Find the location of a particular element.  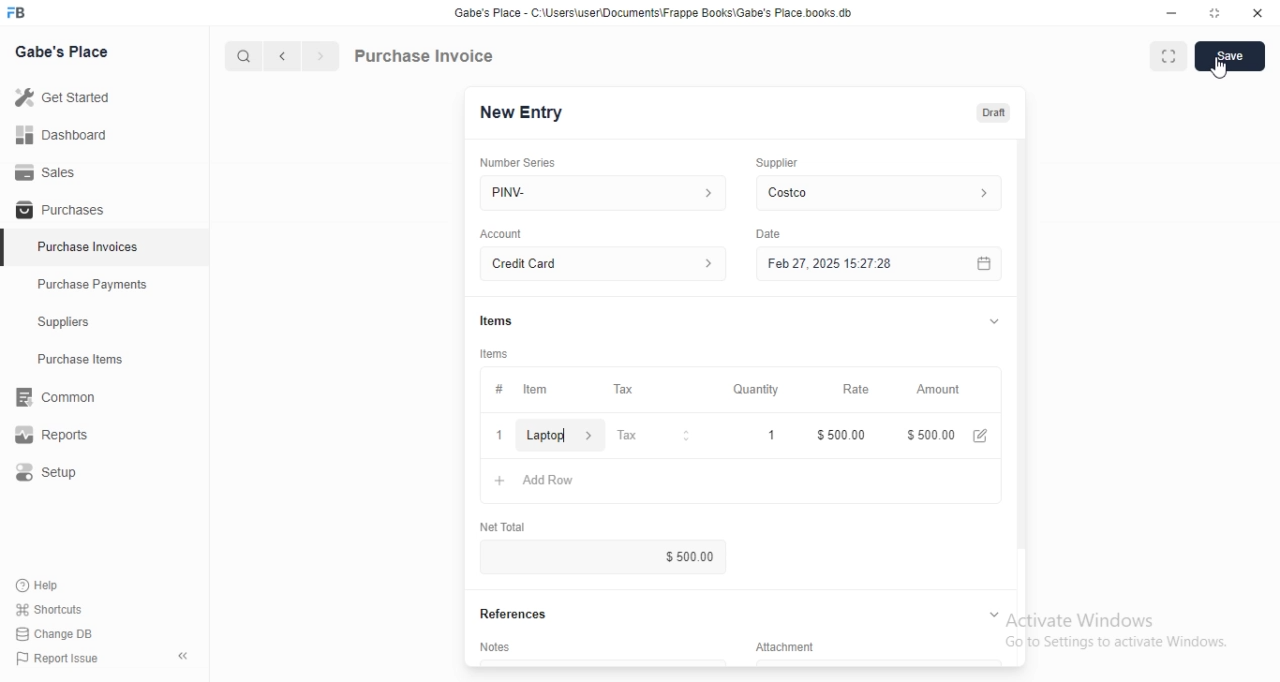

Minimize is located at coordinates (1171, 13).